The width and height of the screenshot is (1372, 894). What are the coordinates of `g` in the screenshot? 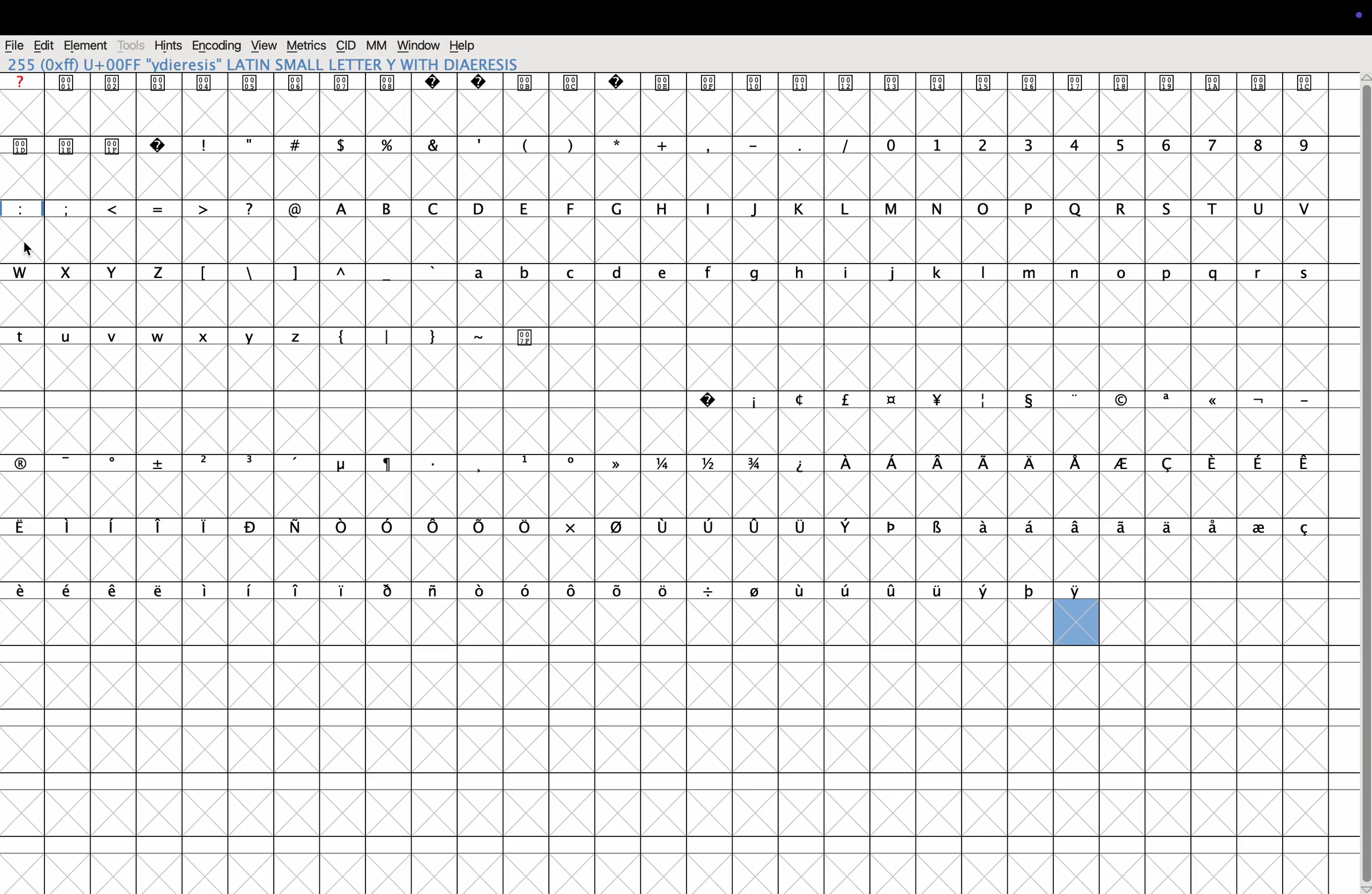 It's located at (752, 296).